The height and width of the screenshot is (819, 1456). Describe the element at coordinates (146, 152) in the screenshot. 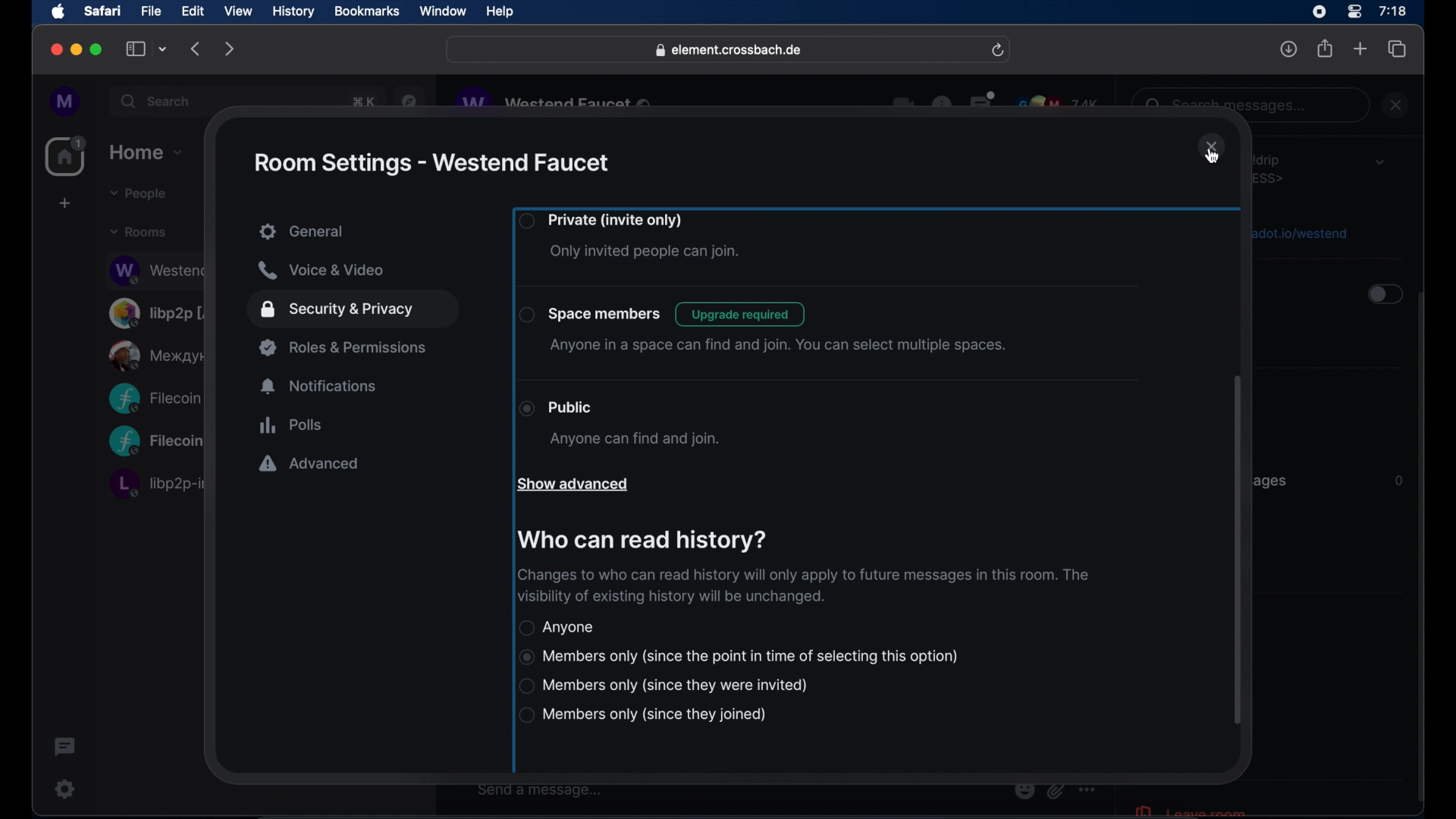

I see `home dropdown` at that location.